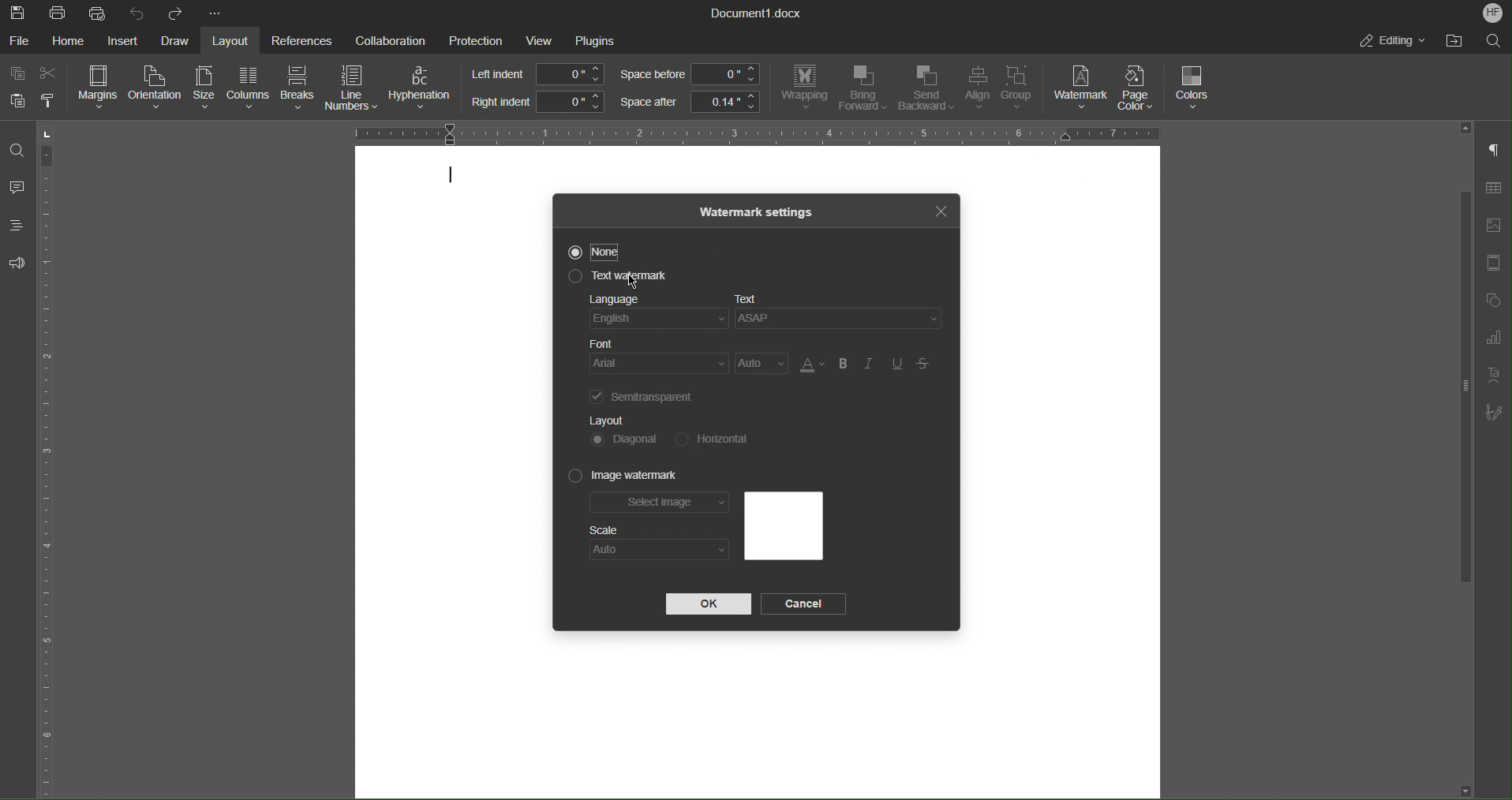 Image resolution: width=1512 pixels, height=800 pixels. I want to click on Non-Printing Characters, so click(1495, 151).